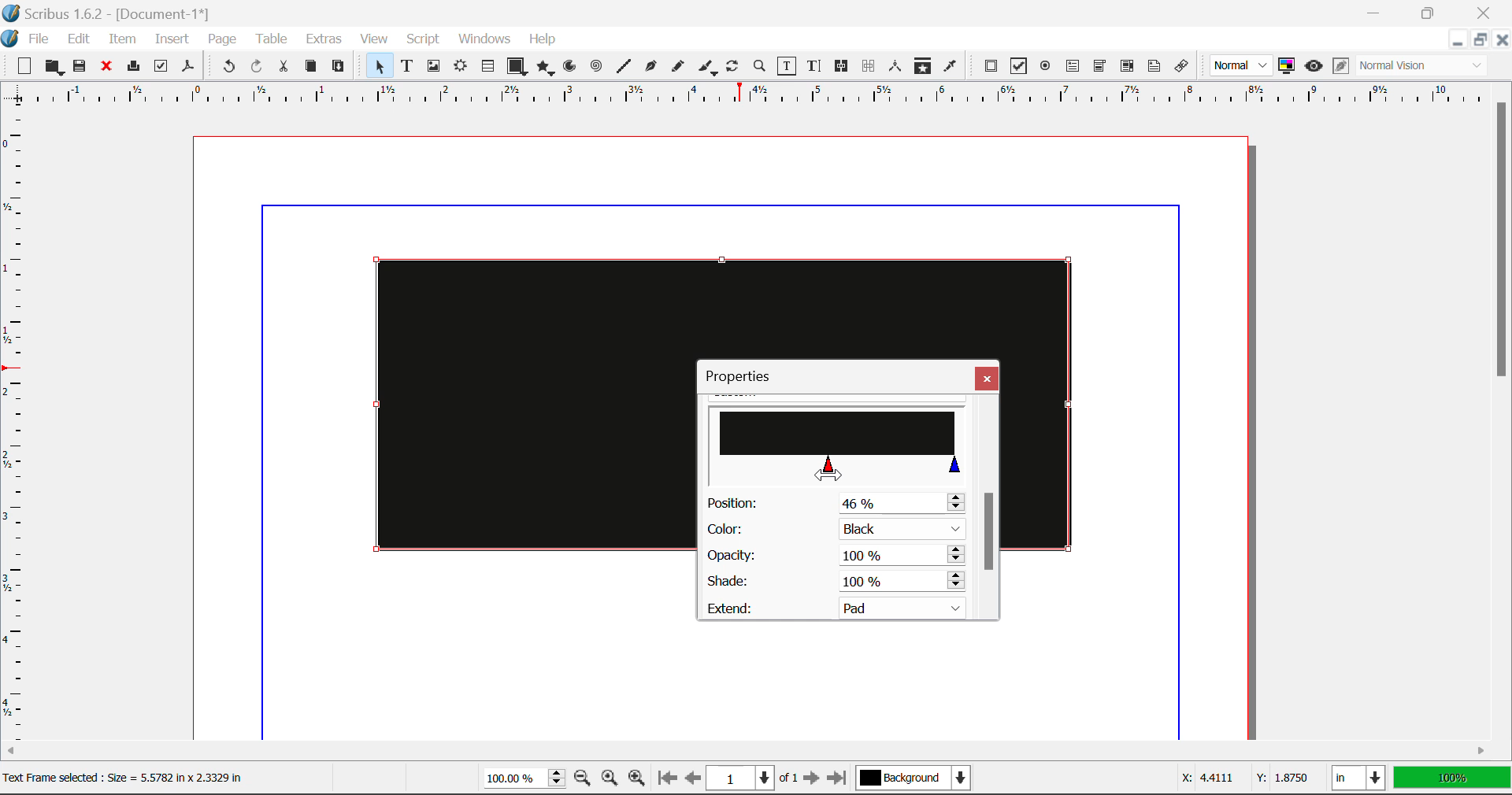  I want to click on Scroll Bar, so click(747, 753).